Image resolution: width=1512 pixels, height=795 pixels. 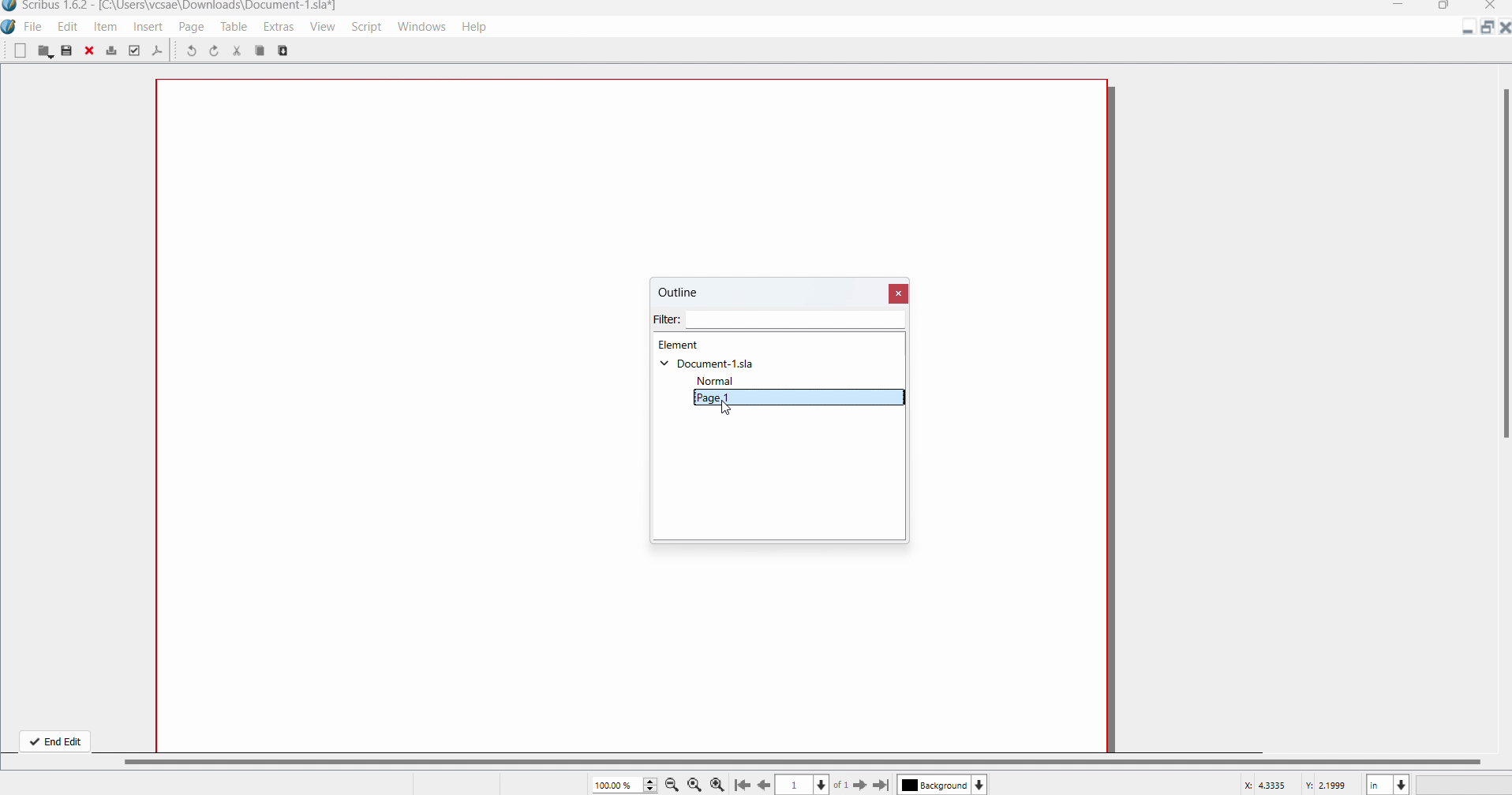 I want to click on , so click(x=152, y=28).